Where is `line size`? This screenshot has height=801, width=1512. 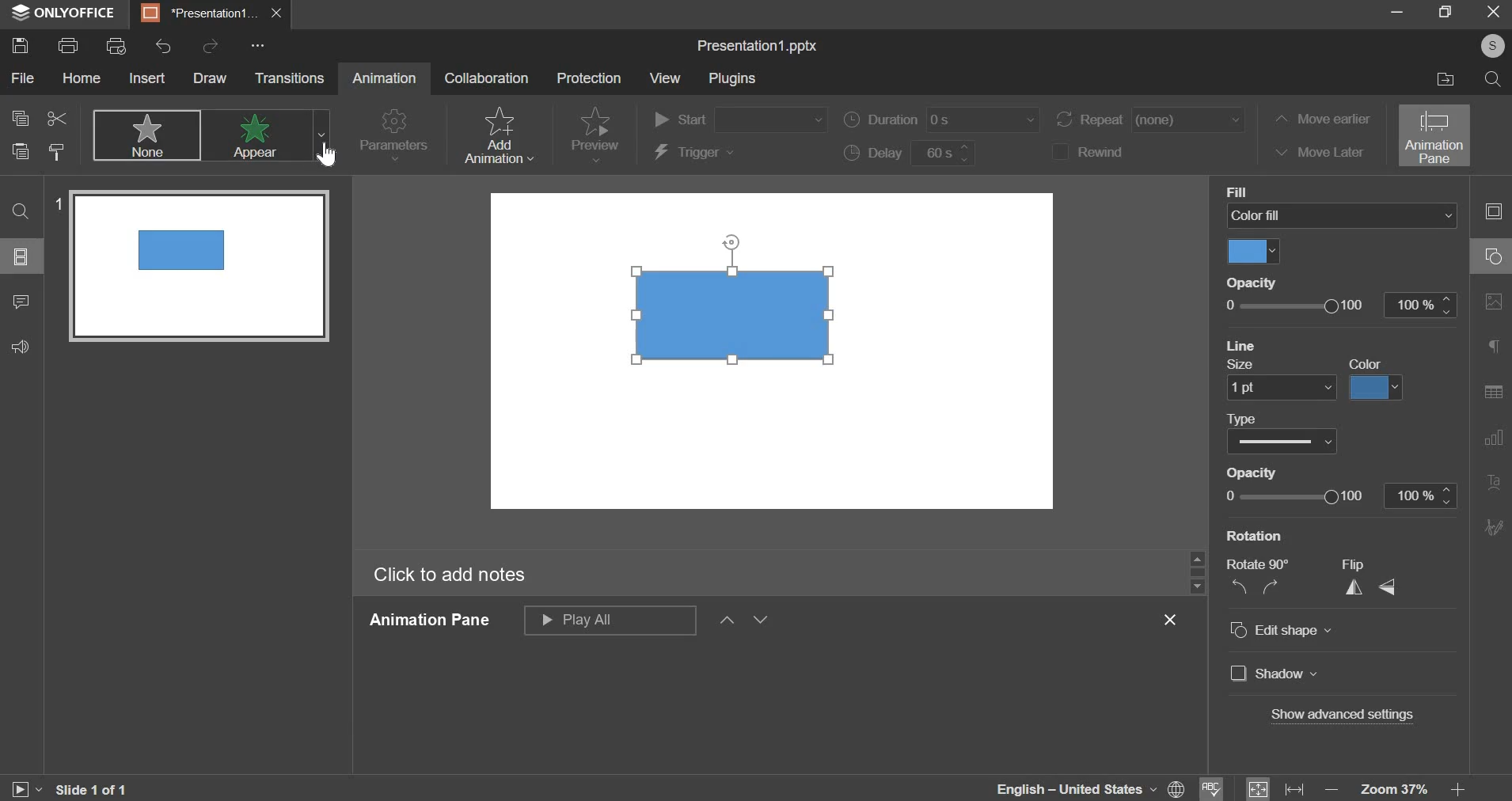
line size is located at coordinates (1281, 387).